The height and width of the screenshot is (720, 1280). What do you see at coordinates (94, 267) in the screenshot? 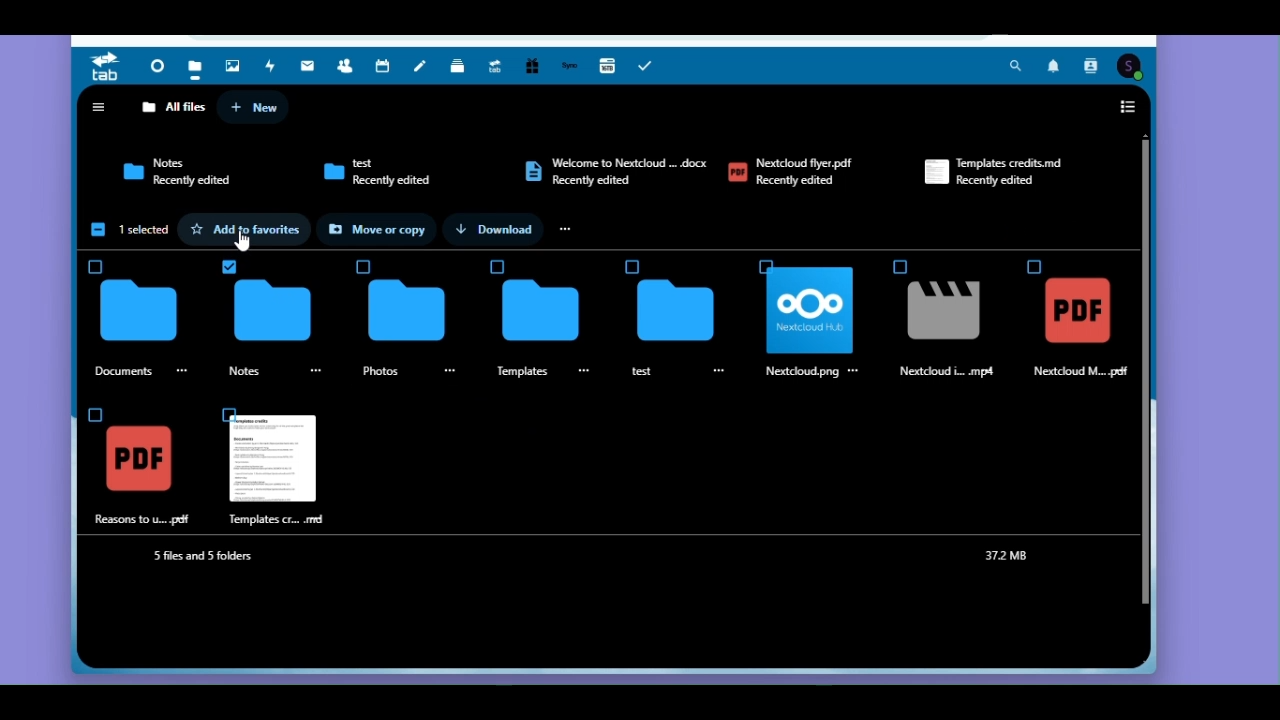
I see `Check Box` at bounding box center [94, 267].